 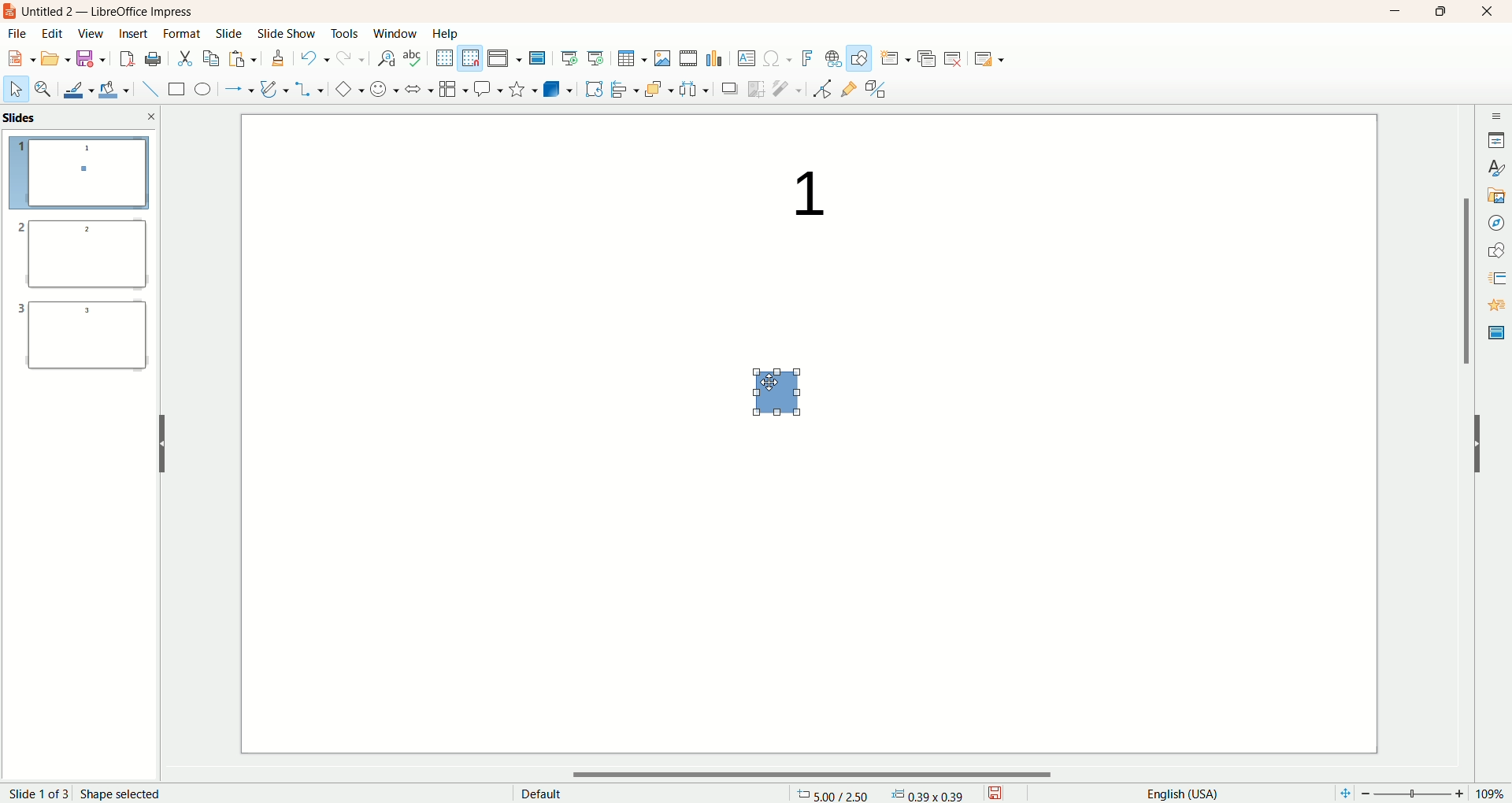 I want to click on logo, so click(x=10, y=13).